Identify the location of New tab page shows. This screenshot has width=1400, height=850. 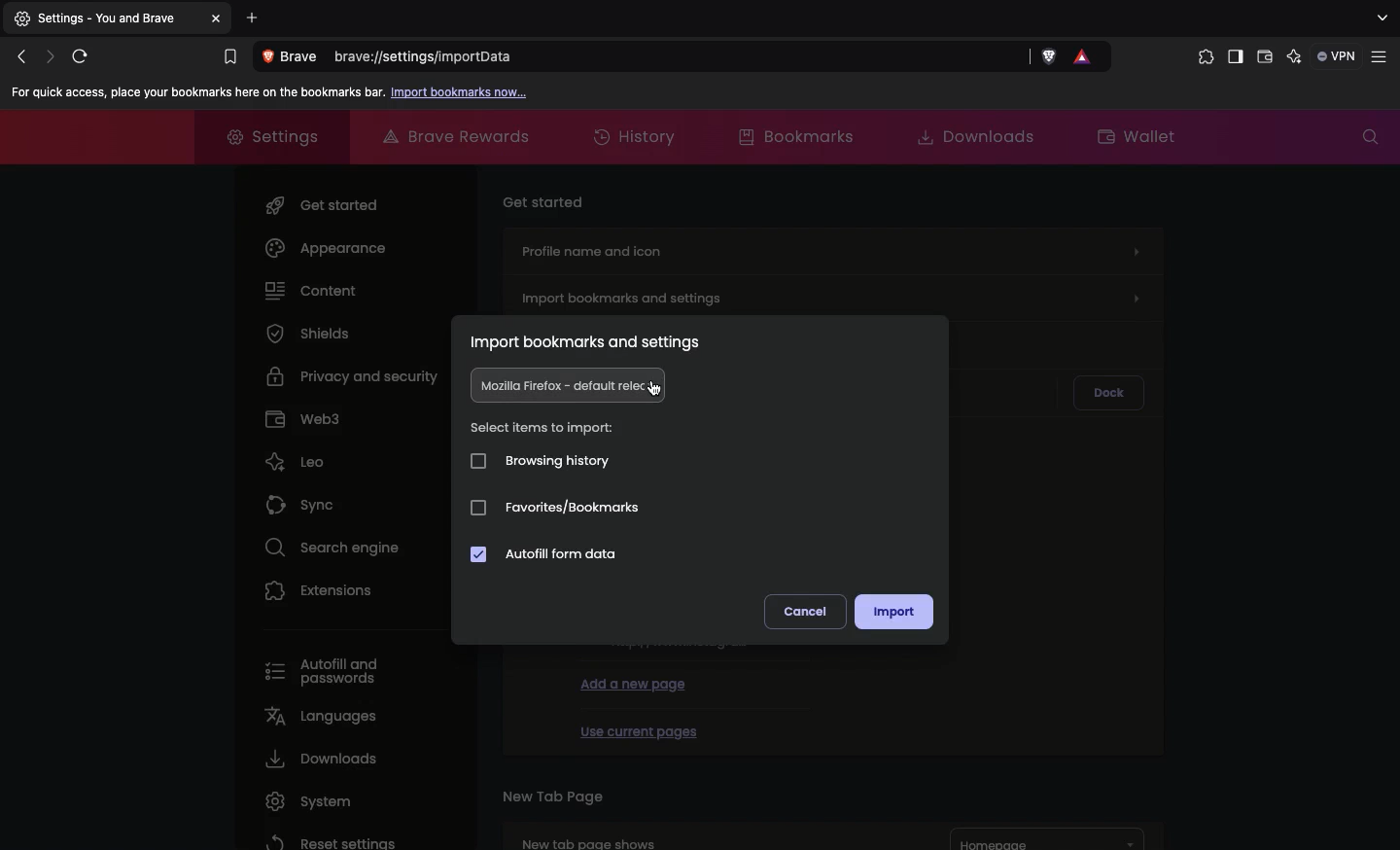
(700, 834).